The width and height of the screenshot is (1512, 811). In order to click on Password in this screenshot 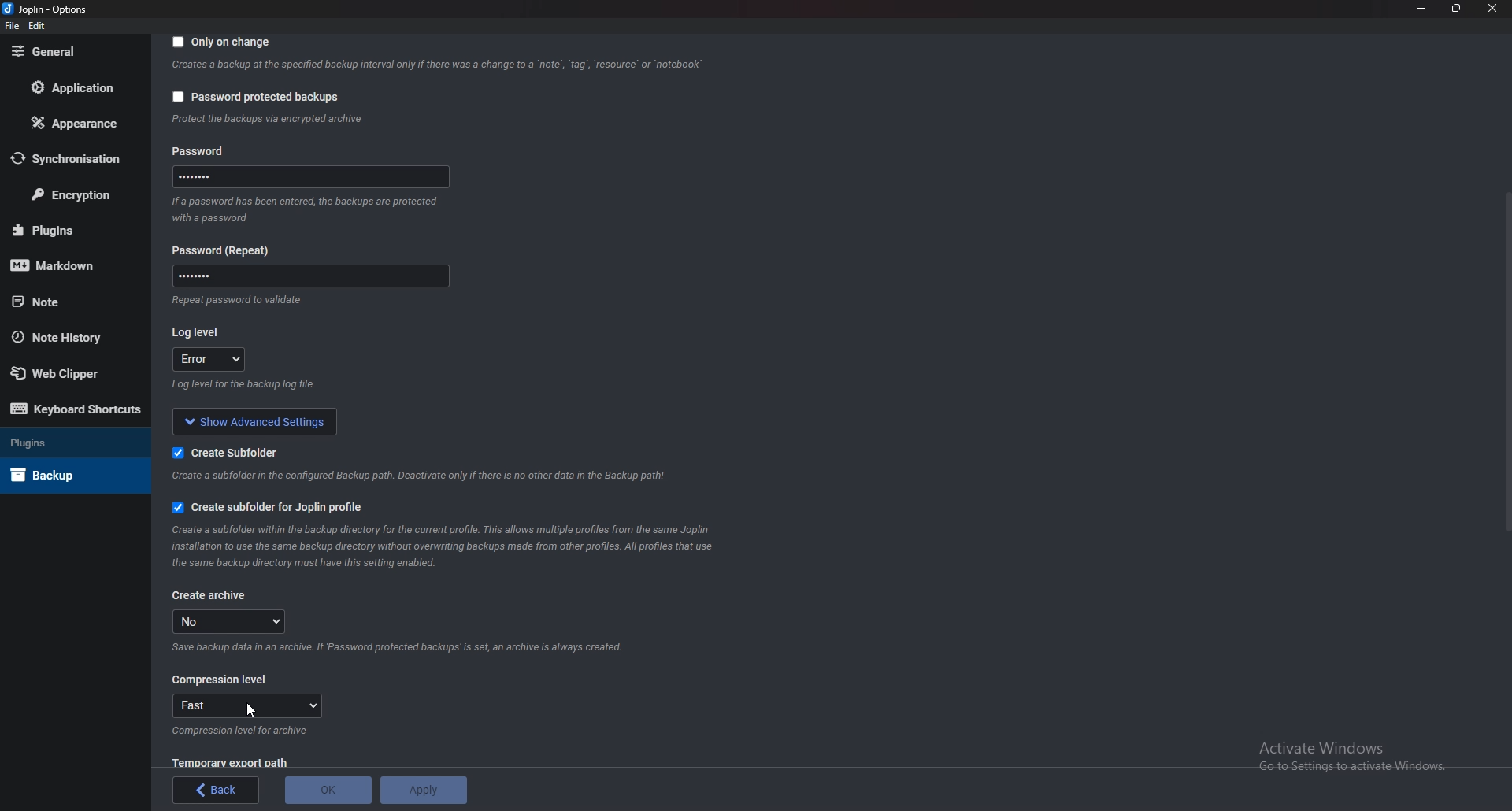, I will do `click(222, 150)`.